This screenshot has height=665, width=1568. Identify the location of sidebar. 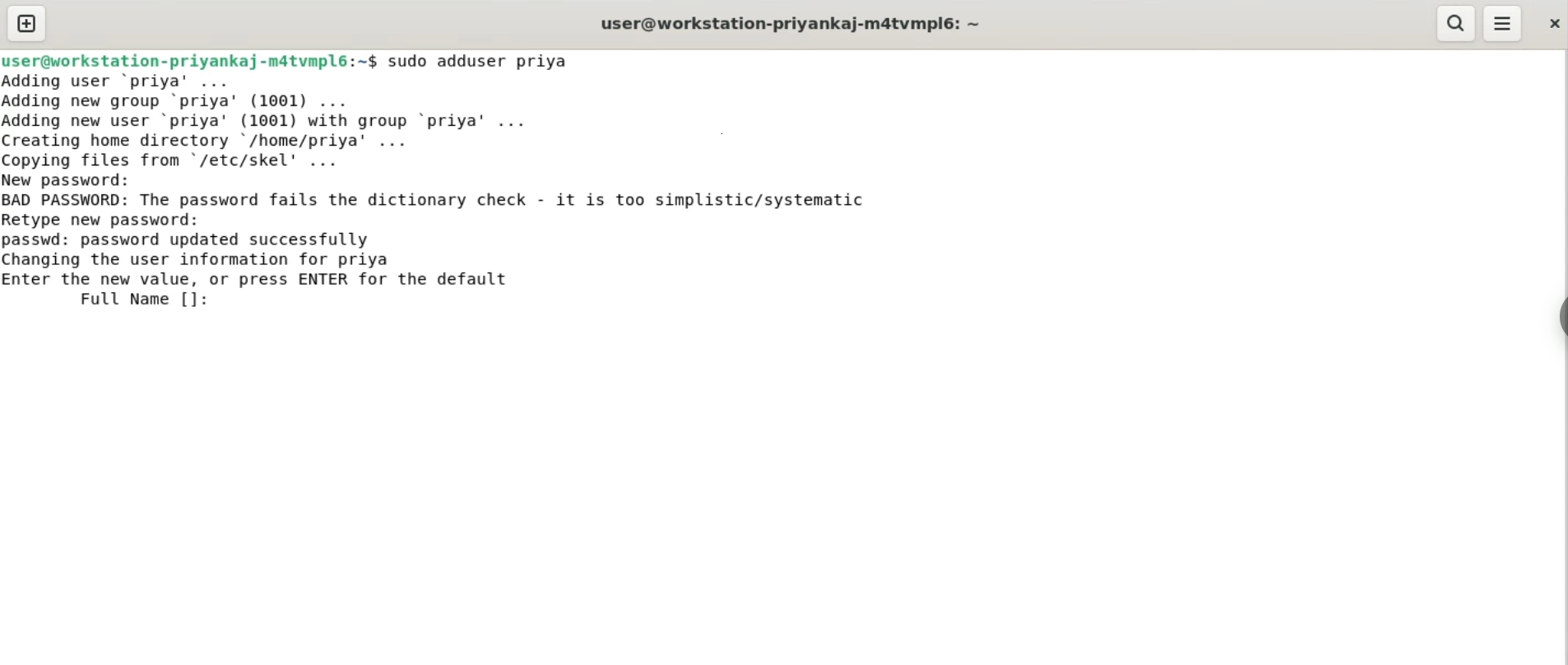
(1560, 318).